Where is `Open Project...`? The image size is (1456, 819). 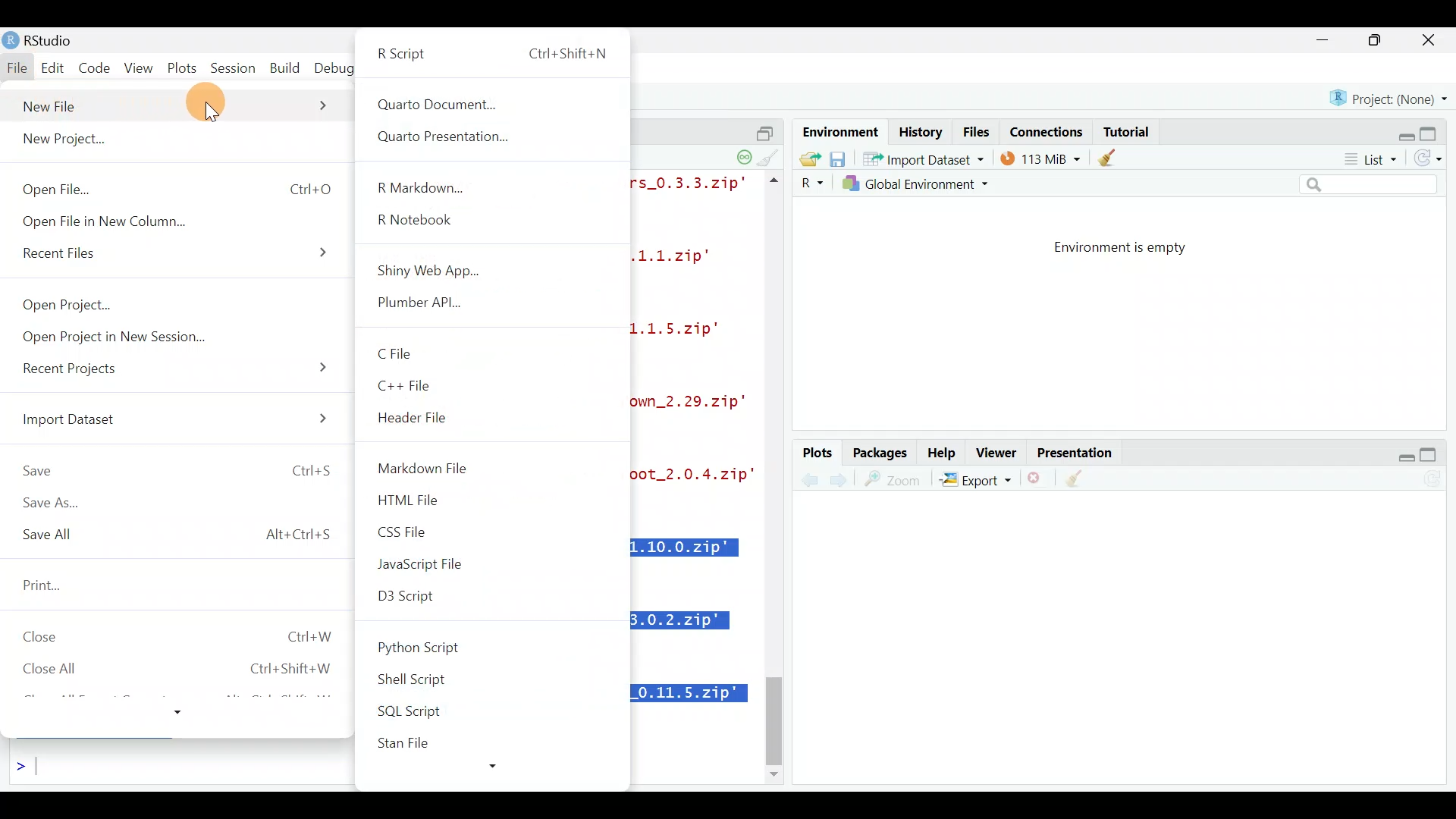 Open Project... is located at coordinates (80, 304).